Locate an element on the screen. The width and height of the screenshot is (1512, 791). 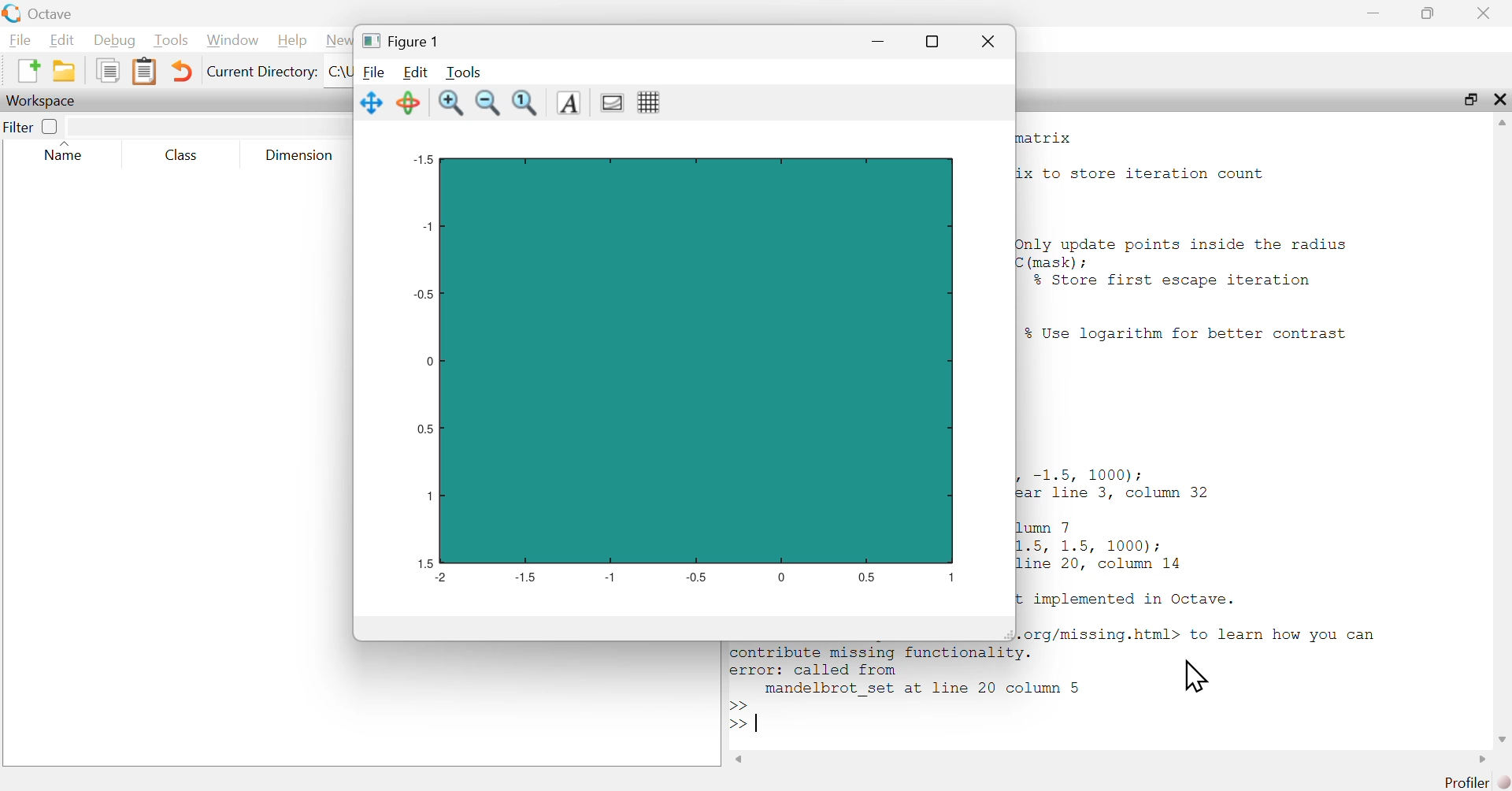
pan is located at coordinates (370, 103).